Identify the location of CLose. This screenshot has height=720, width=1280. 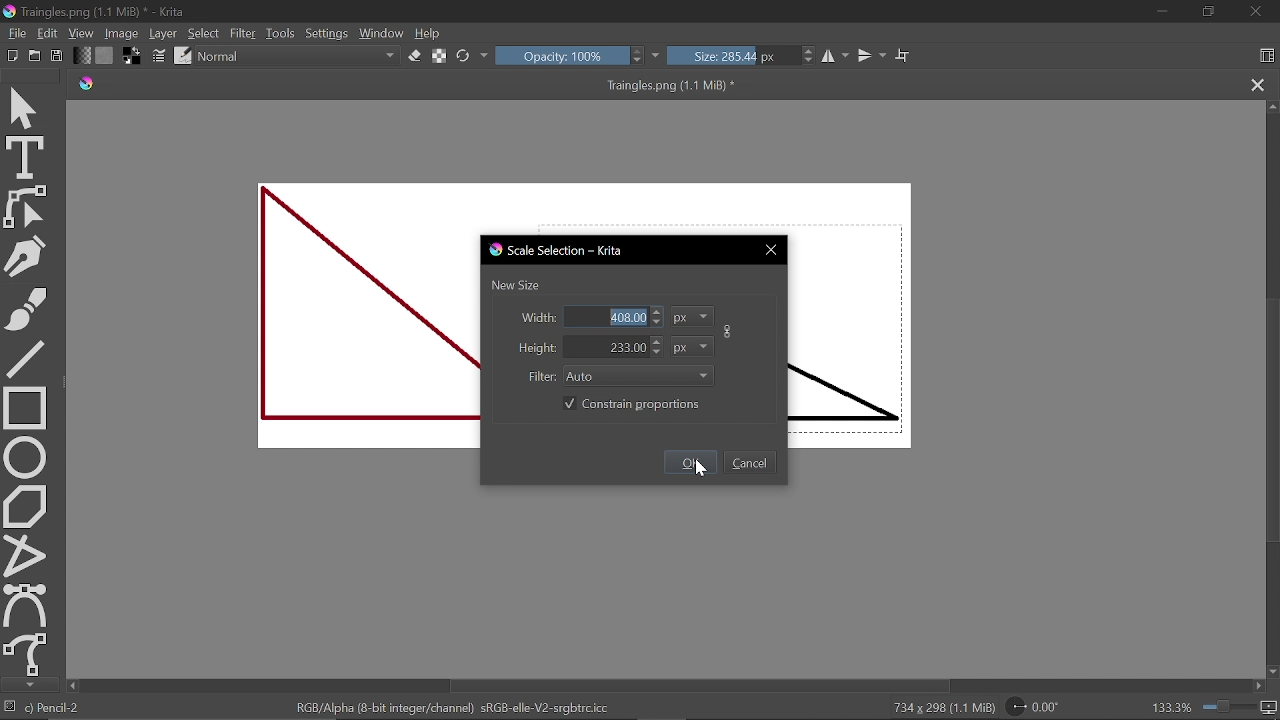
(1256, 12).